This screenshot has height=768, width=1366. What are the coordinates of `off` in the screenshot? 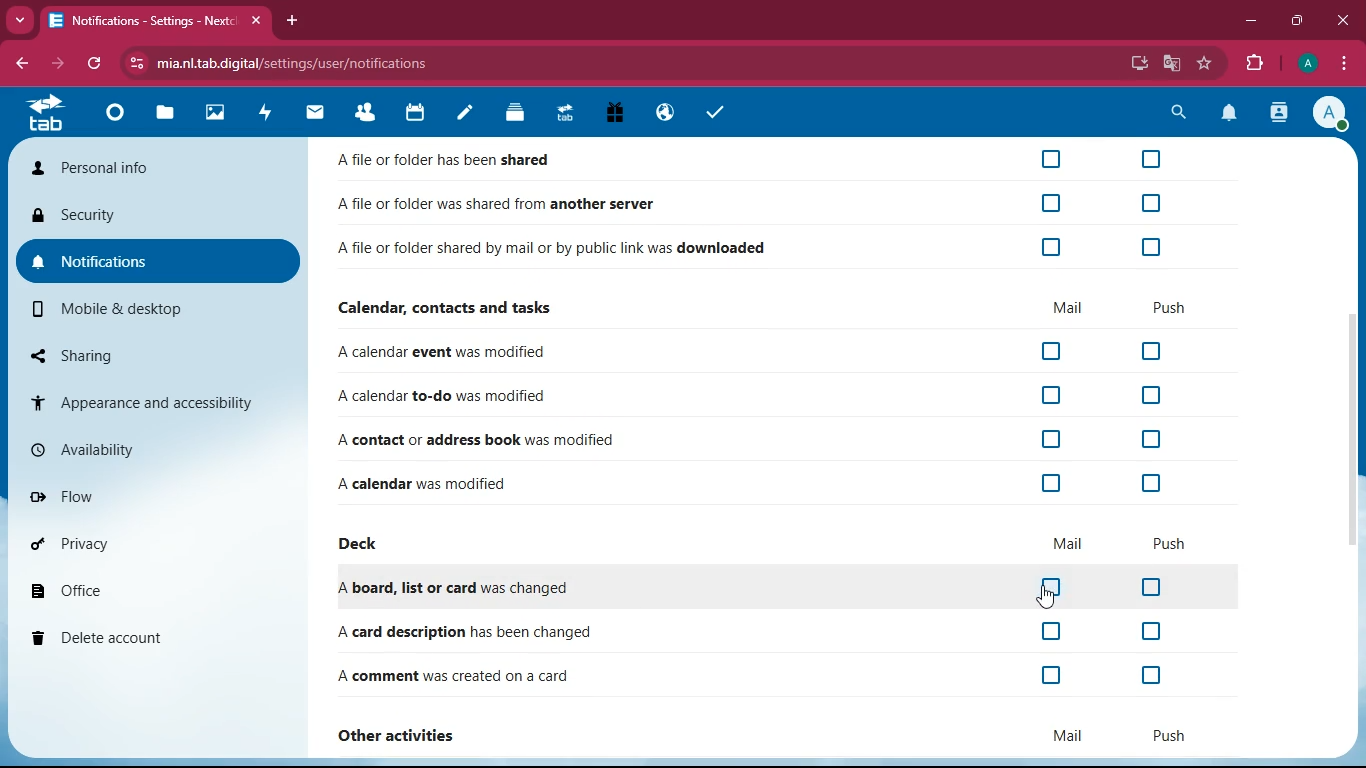 It's located at (1054, 346).